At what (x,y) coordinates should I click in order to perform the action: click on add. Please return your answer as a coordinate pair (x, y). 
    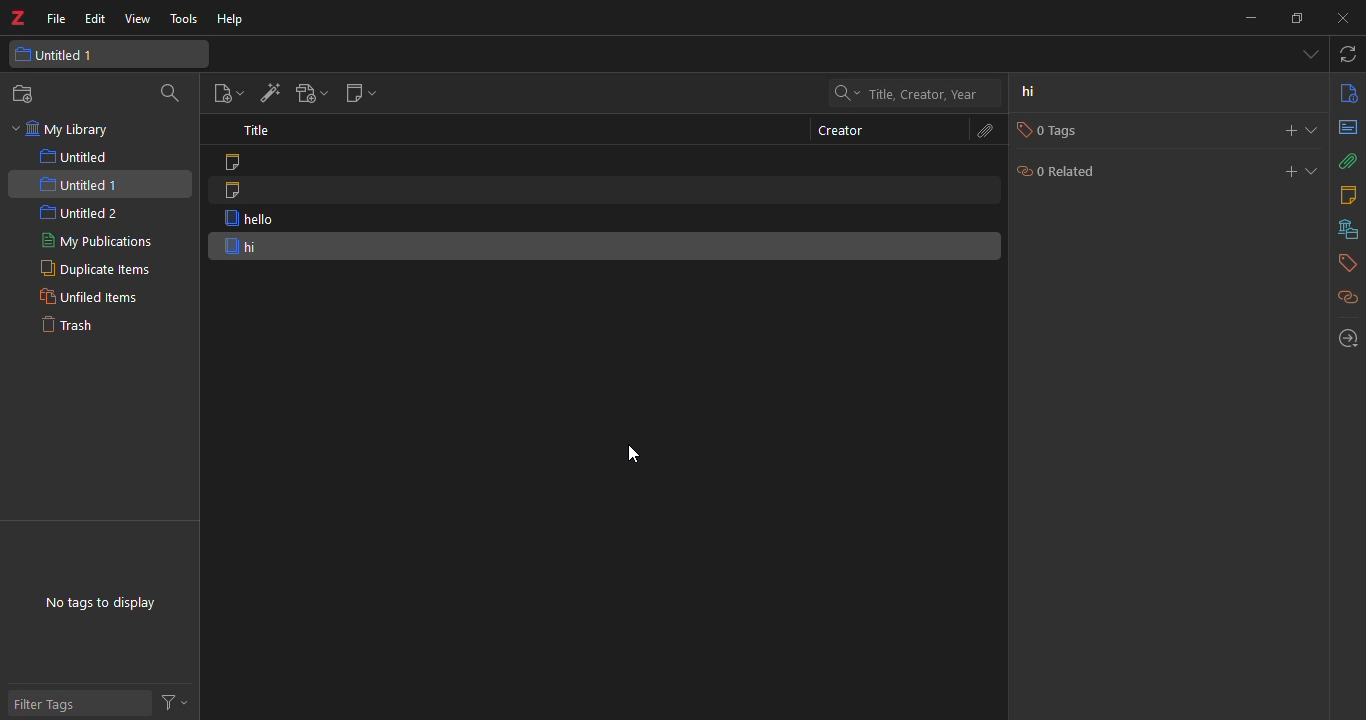
    Looking at the image, I should click on (1291, 128).